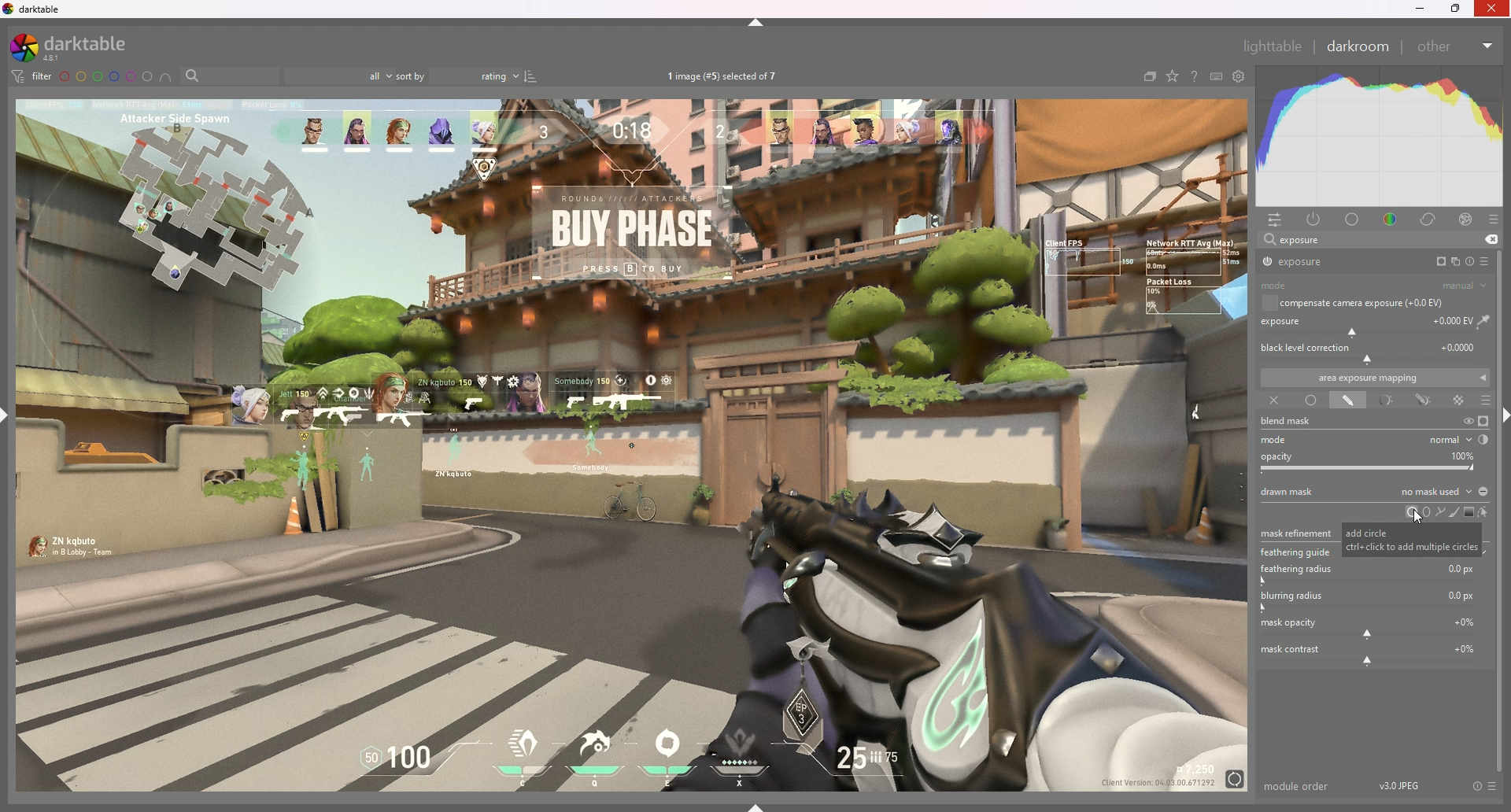 The image size is (1511, 812). I want to click on reset, so click(1476, 787).